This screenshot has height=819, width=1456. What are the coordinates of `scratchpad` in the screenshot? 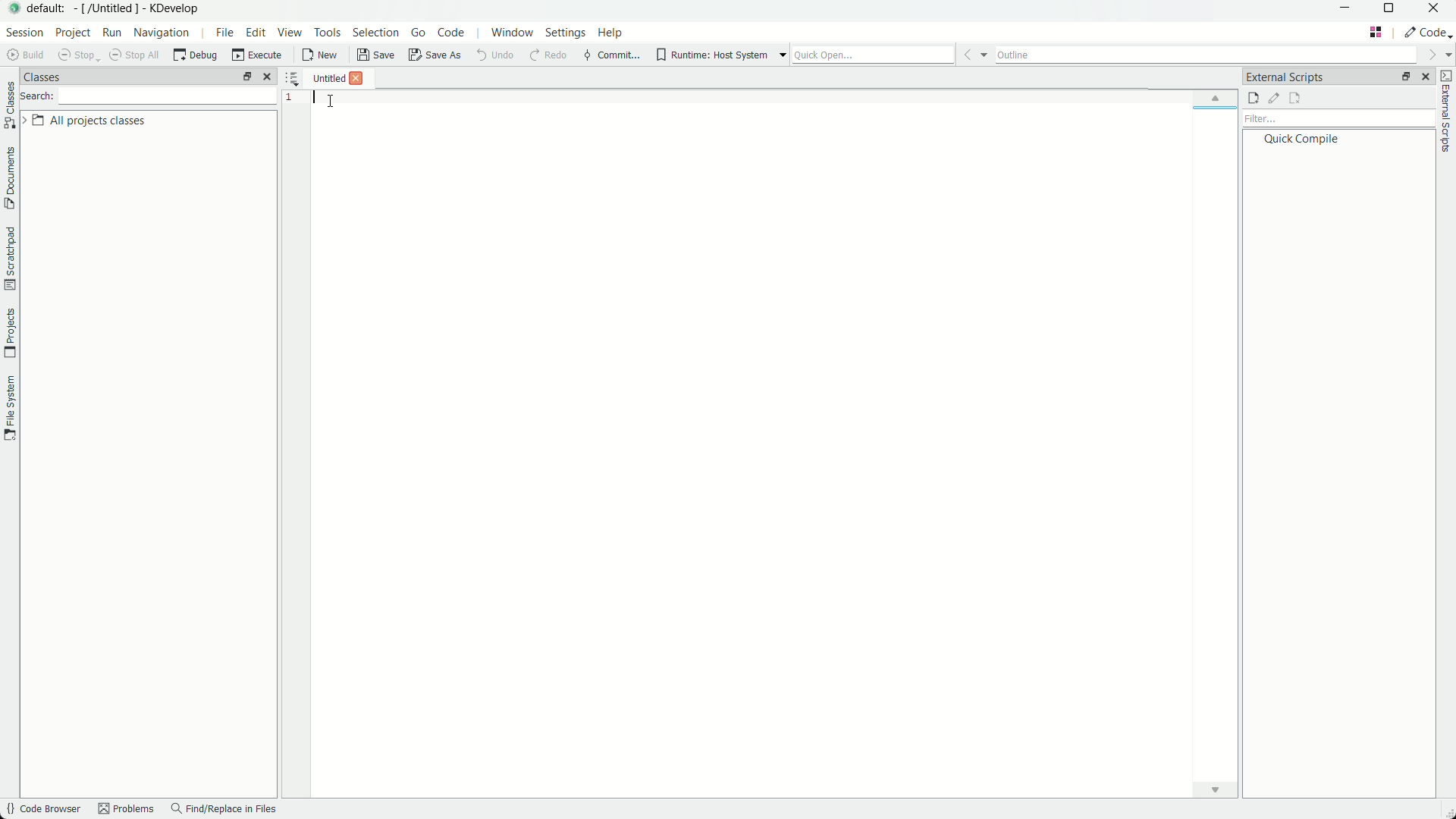 It's located at (9, 259).